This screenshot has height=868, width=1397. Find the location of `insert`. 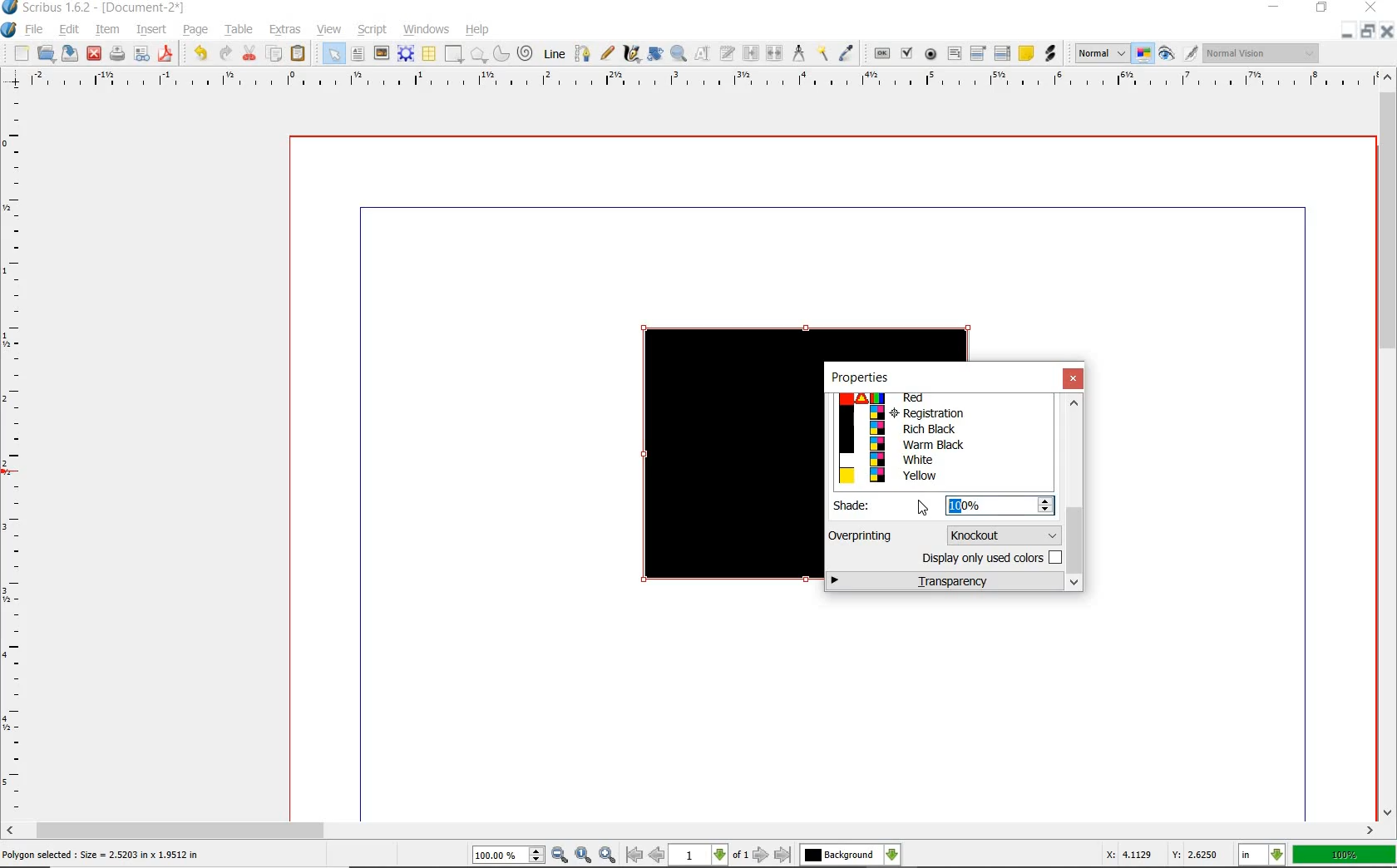

insert is located at coordinates (154, 29).